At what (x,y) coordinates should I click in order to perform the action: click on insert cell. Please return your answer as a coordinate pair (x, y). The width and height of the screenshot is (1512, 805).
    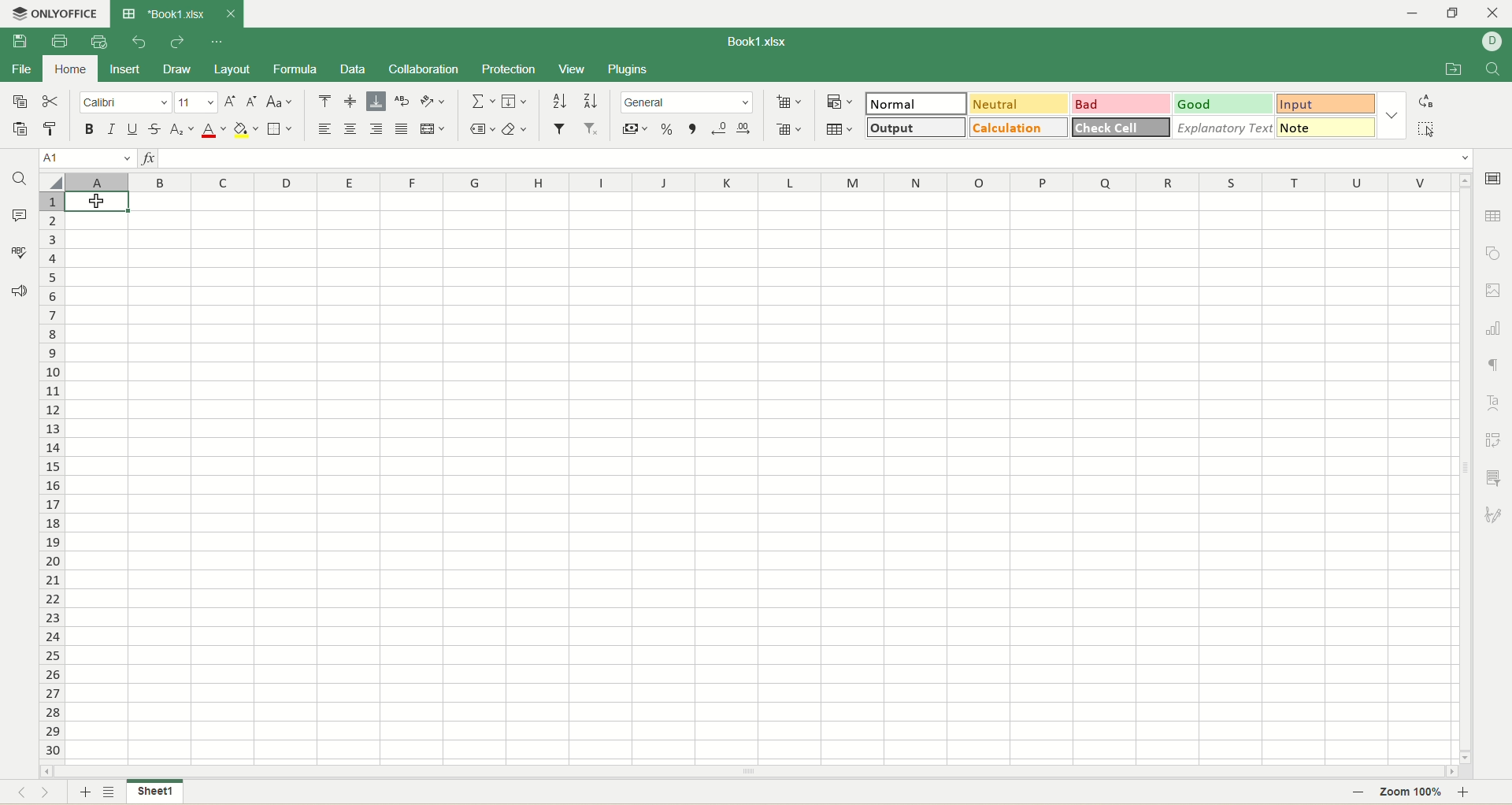
    Looking at the image, I should click on (789, 103).